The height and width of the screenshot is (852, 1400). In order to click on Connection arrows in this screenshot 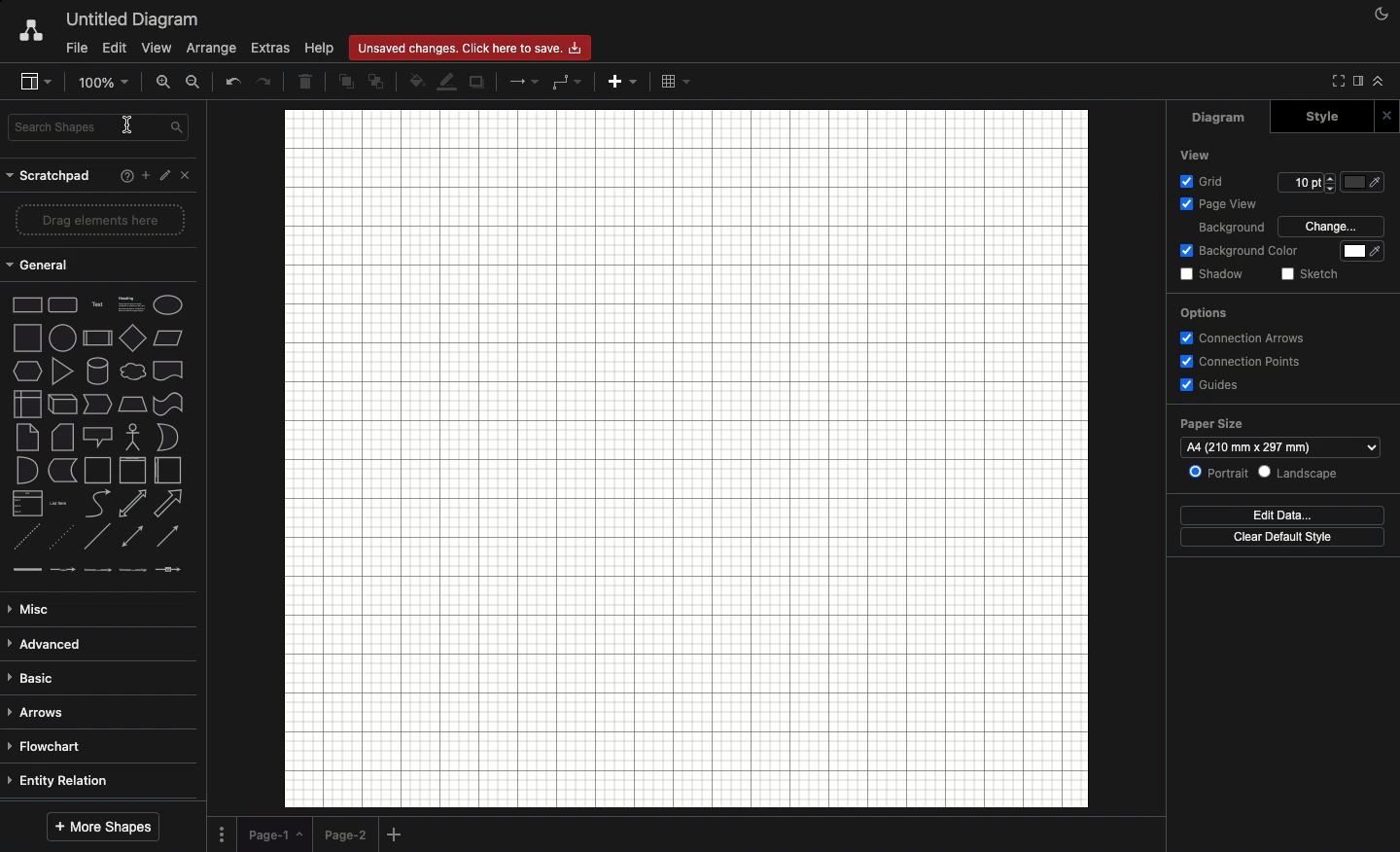, I will do `click(1242, 337)`.